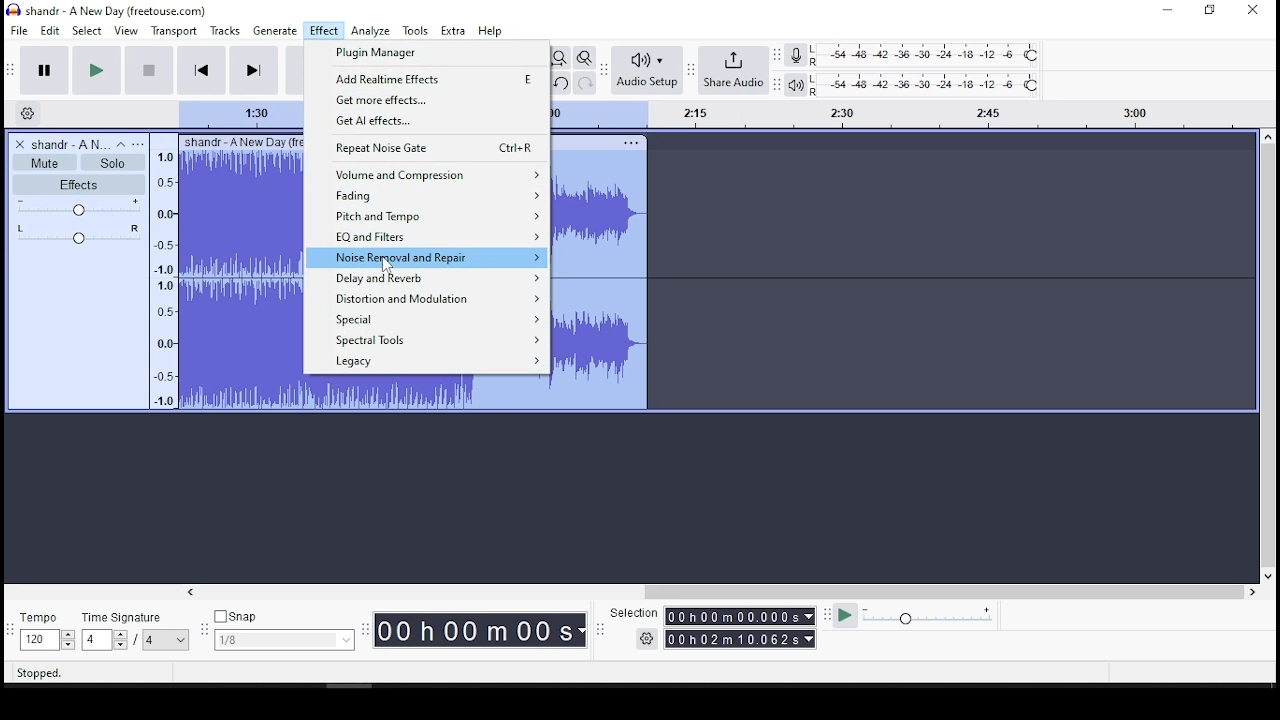 This screenshot has height=720, width=1280. I want to click on audio clip, so click(238, 273).